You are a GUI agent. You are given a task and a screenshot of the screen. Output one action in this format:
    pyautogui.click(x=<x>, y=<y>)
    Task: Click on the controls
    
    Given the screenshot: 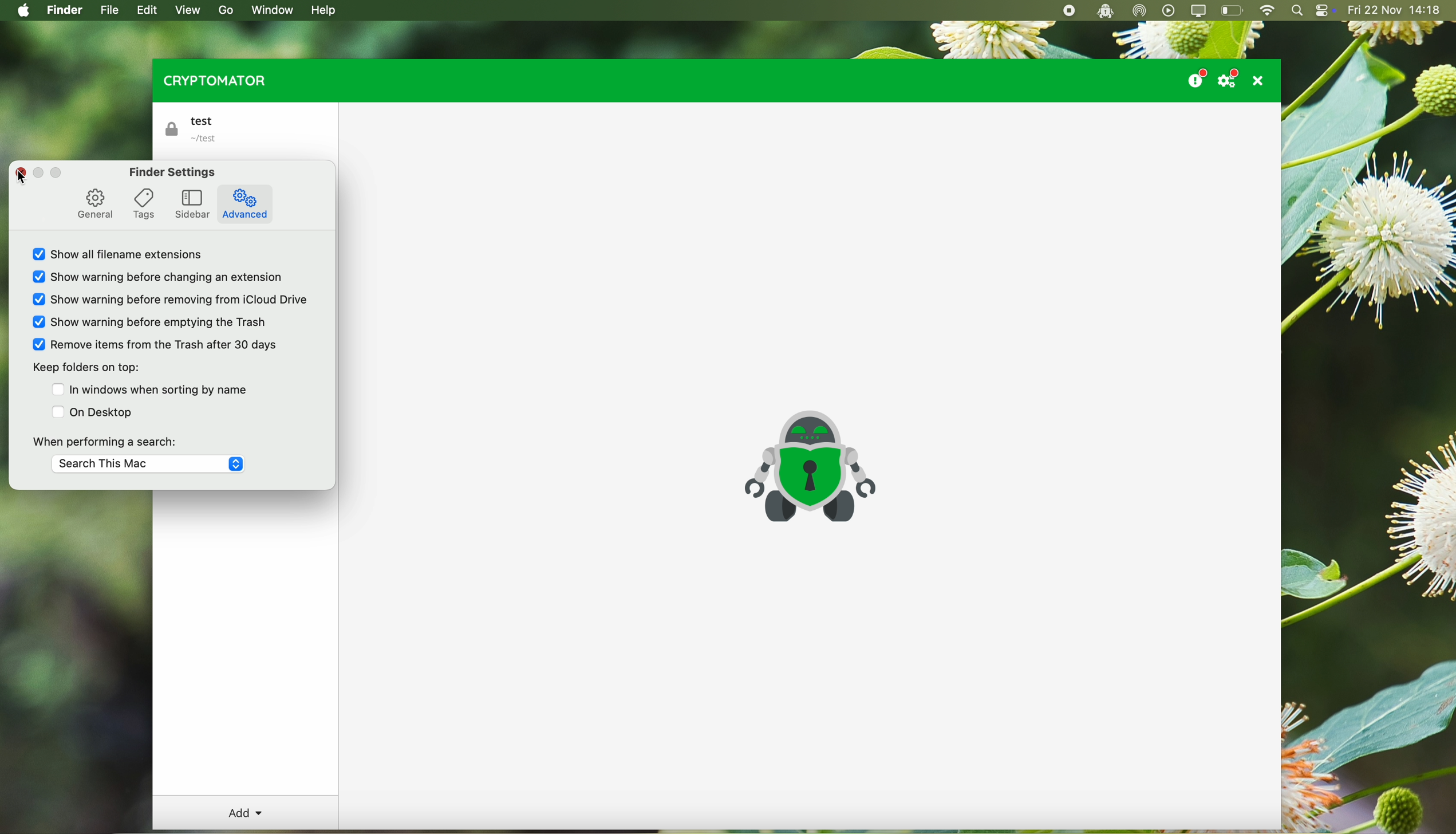 What is the action you would take?
    pyautogui.click(x=1325, y=11)
    